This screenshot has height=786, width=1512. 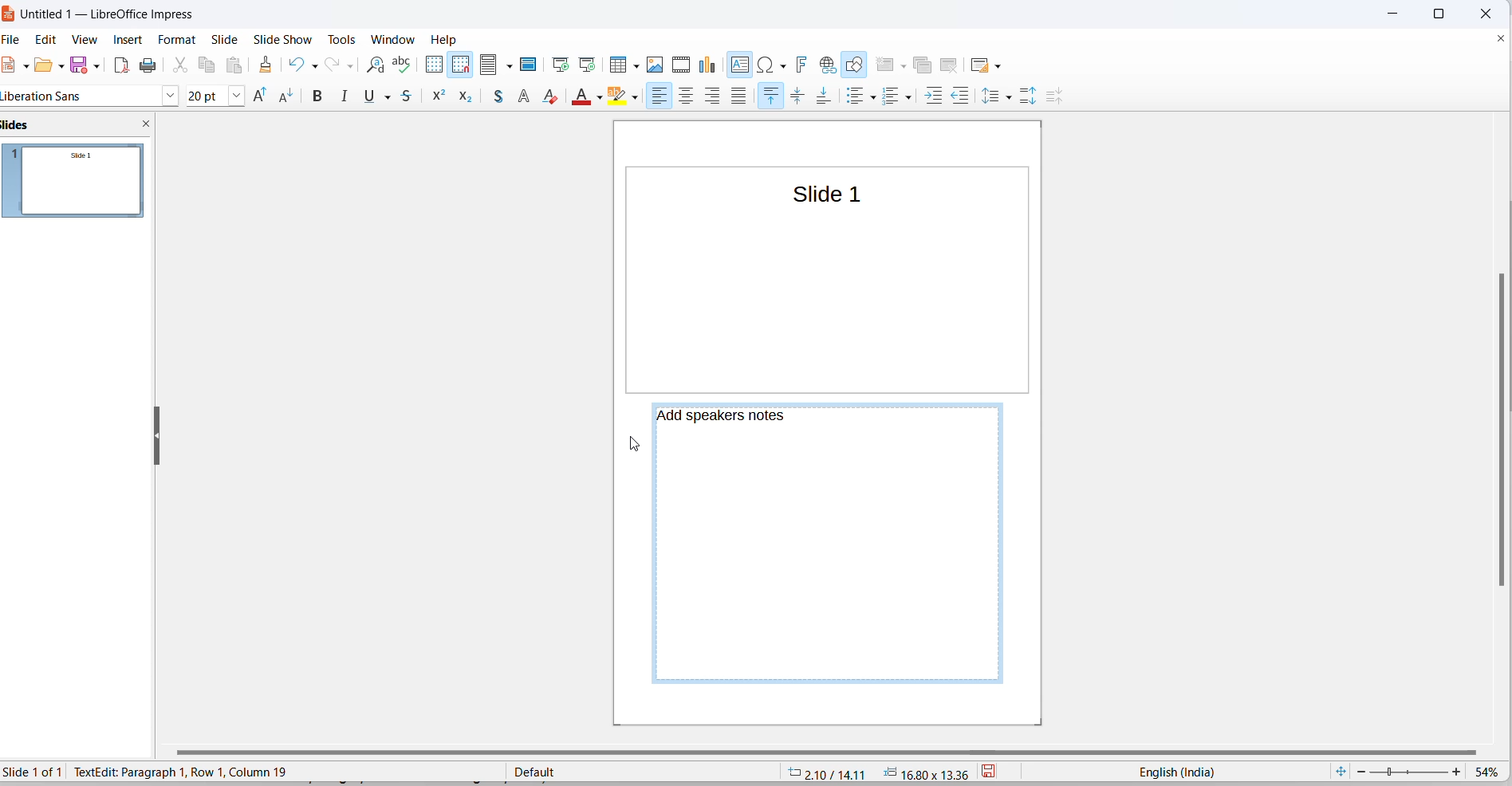 I want to click on slides, so click(x=79, y=185).